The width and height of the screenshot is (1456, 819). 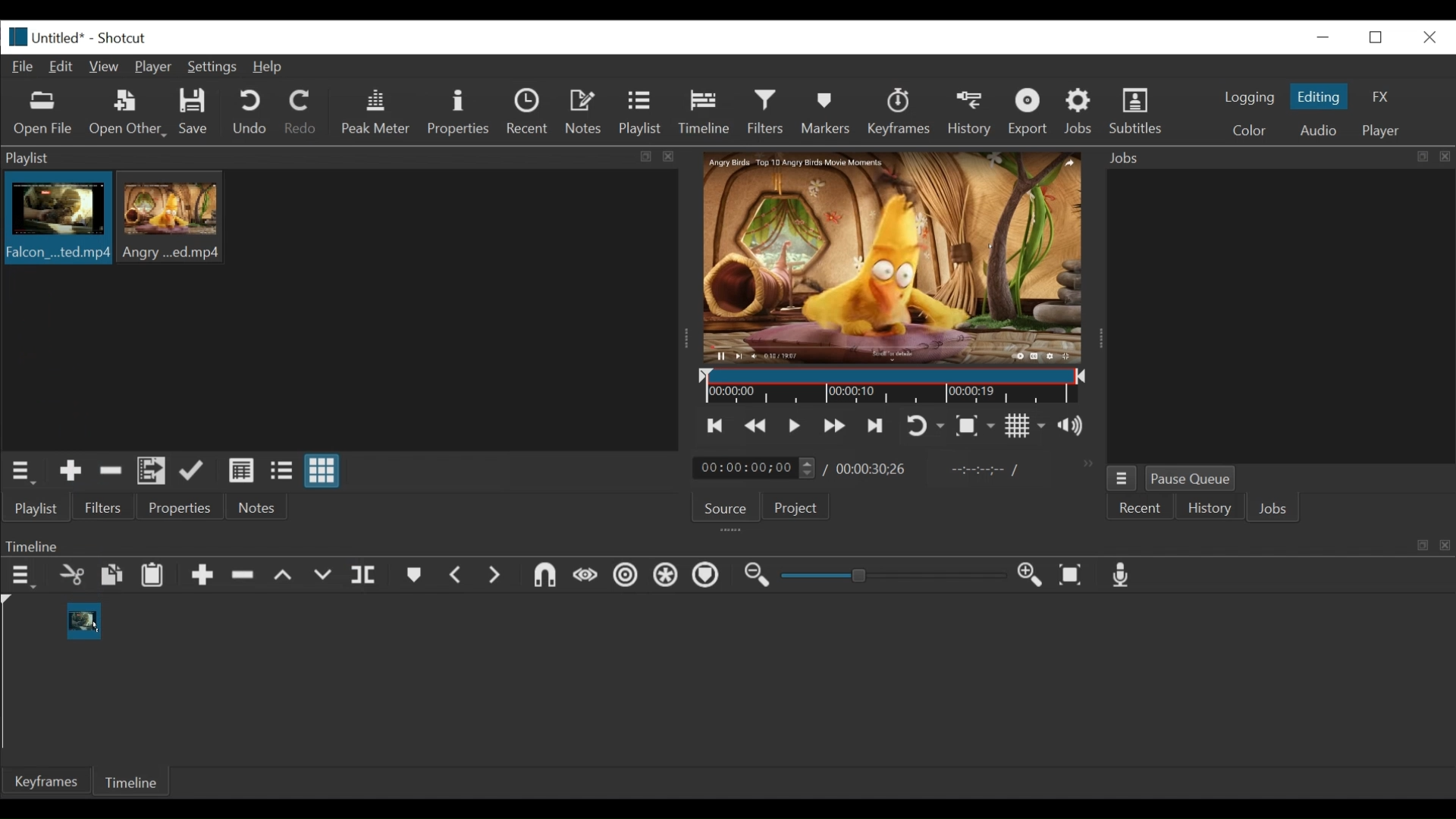 I want to click on View, so click(x=105, y=67).